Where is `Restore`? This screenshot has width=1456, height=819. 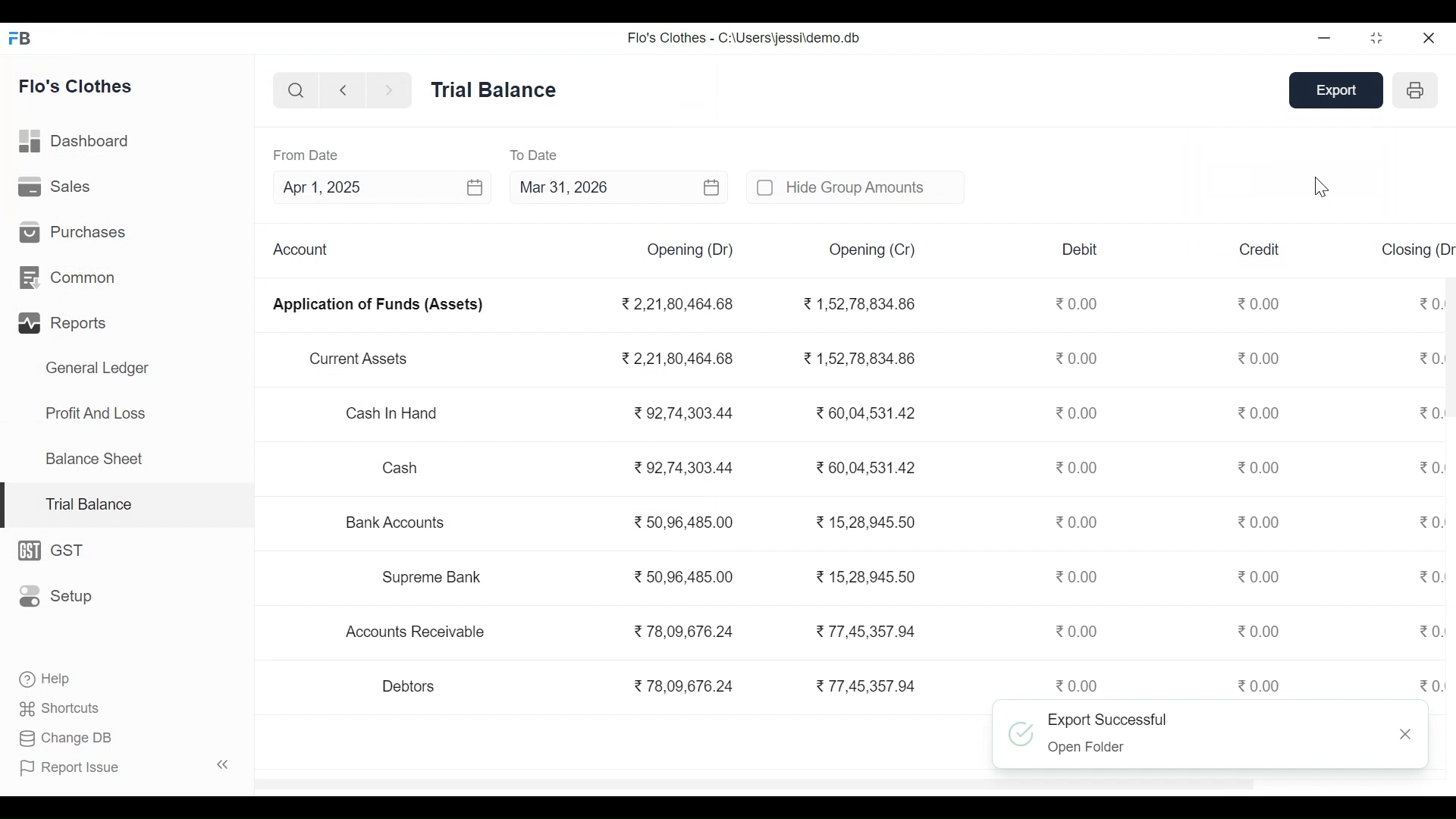
Restore is located at coordinates (1379, 37).